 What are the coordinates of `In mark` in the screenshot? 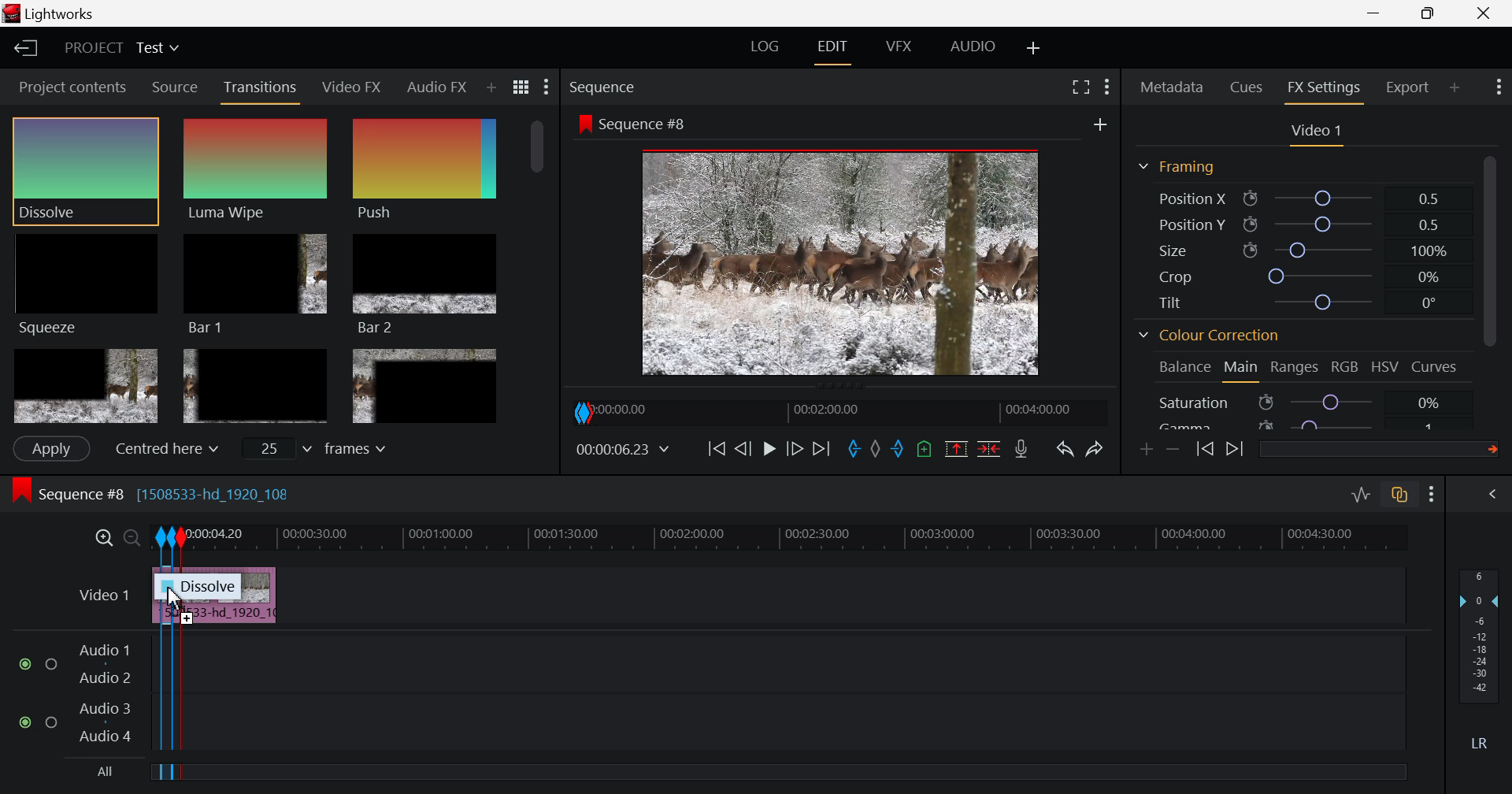 It's located at (851, 450).